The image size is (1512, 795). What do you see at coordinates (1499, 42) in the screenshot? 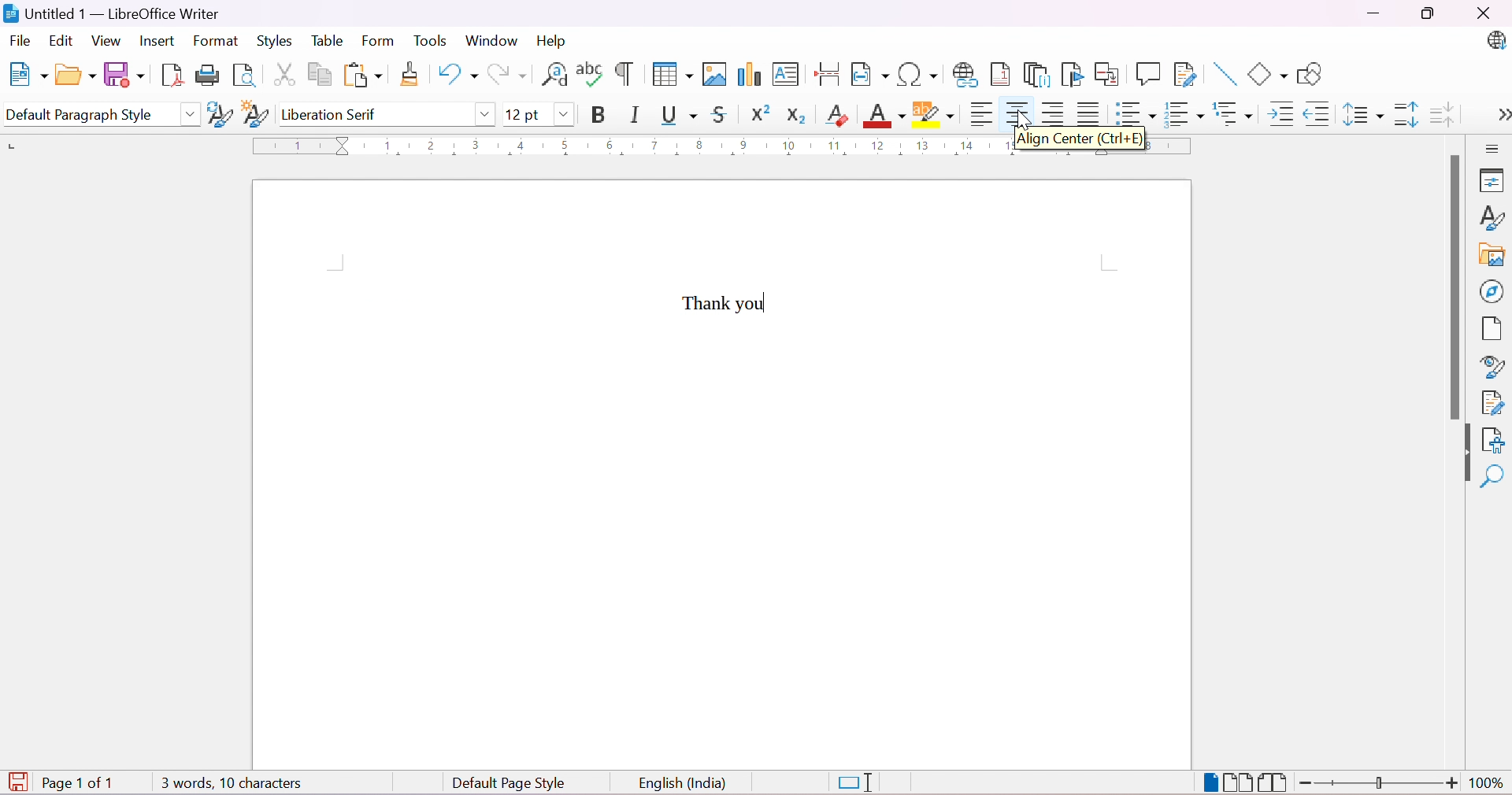
I see `LibreOffice Update Available` at bounding box center [1499, 42].